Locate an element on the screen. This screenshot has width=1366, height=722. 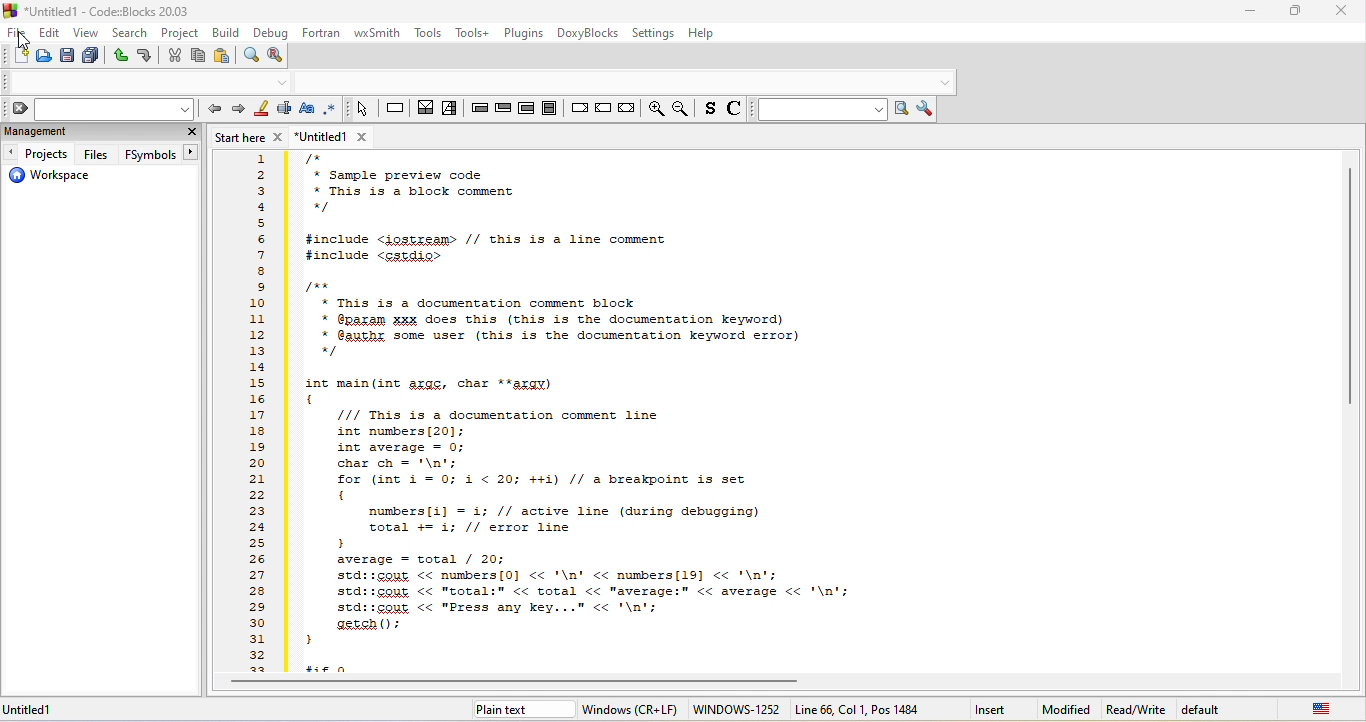
untitled 1 is located at coordinates (40, 710).